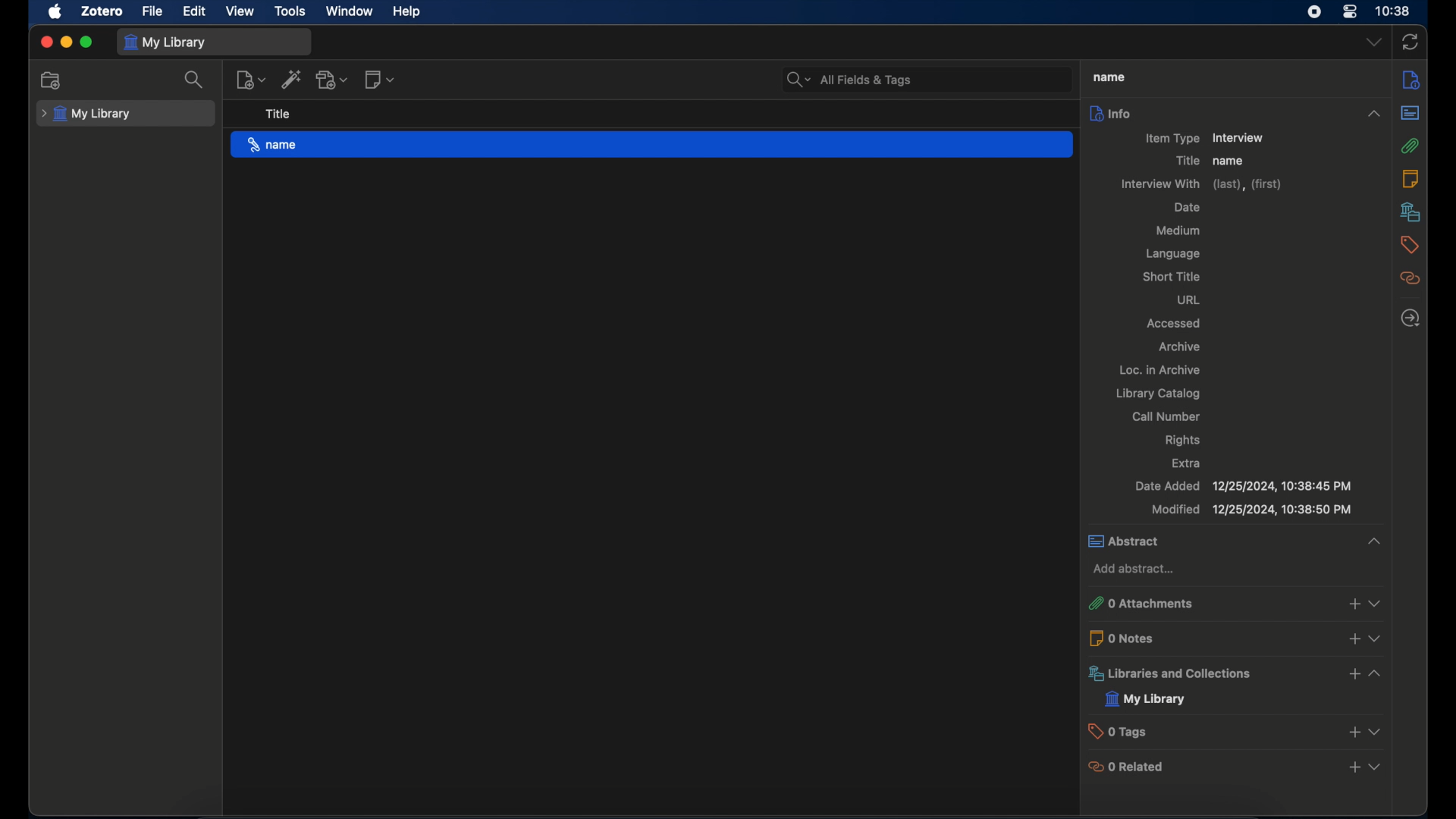  Describe the element at coordinates (45, 42) in the screenshot. I see `close` at that location.